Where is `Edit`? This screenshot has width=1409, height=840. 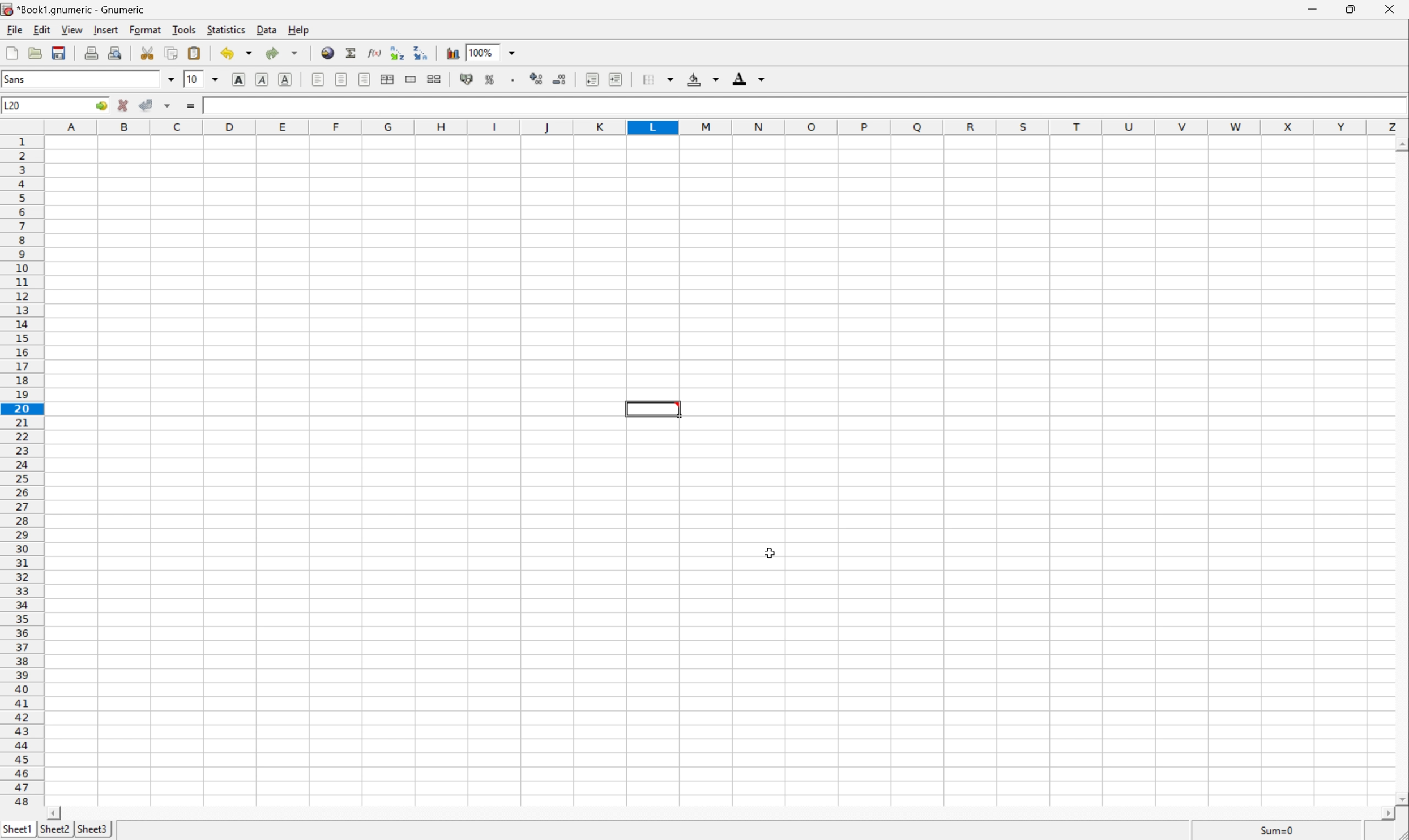 Edit is located at coordinates (42, 30).